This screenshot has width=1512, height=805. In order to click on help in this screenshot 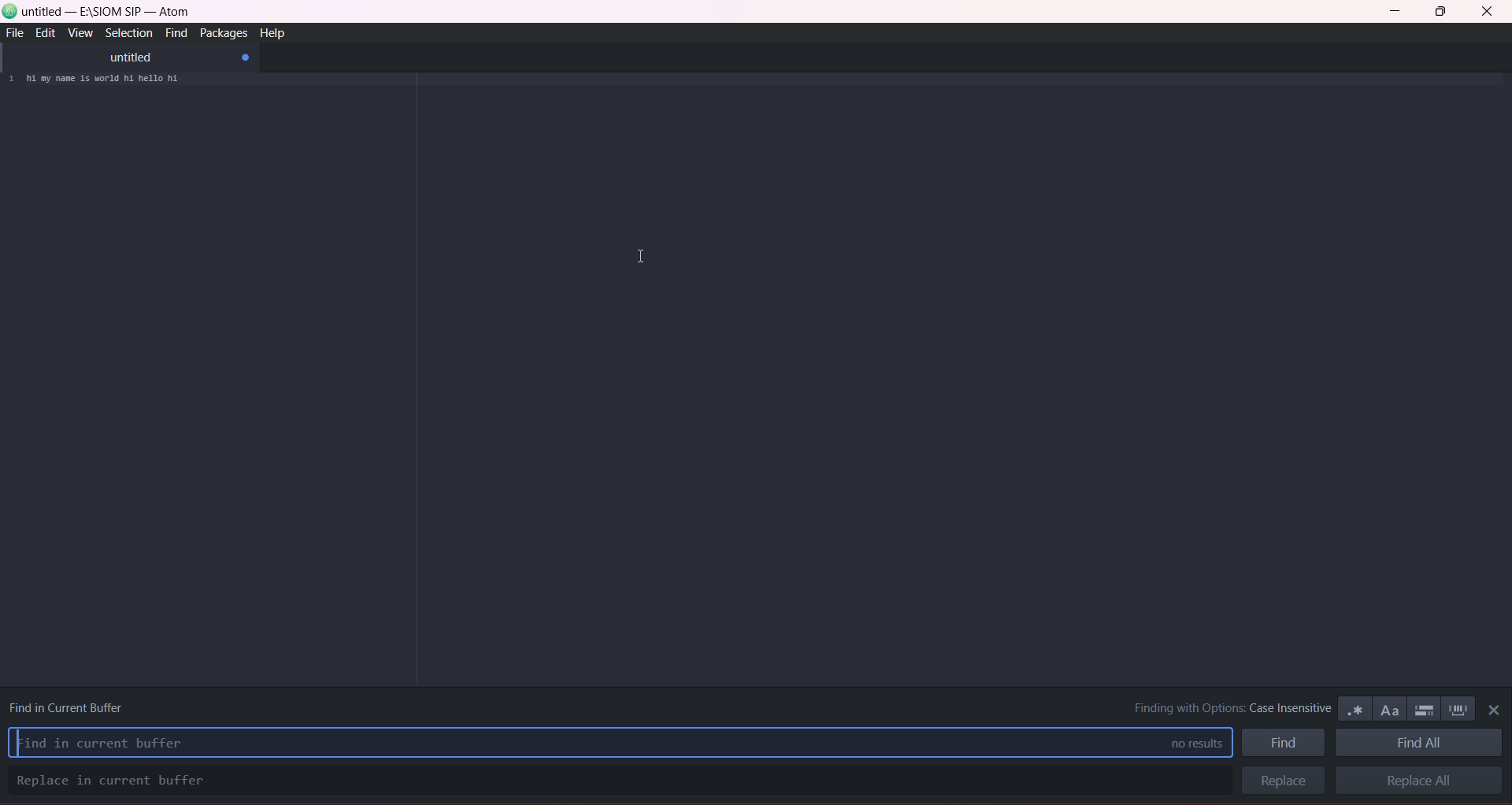, I will do `click(274, 32)`.